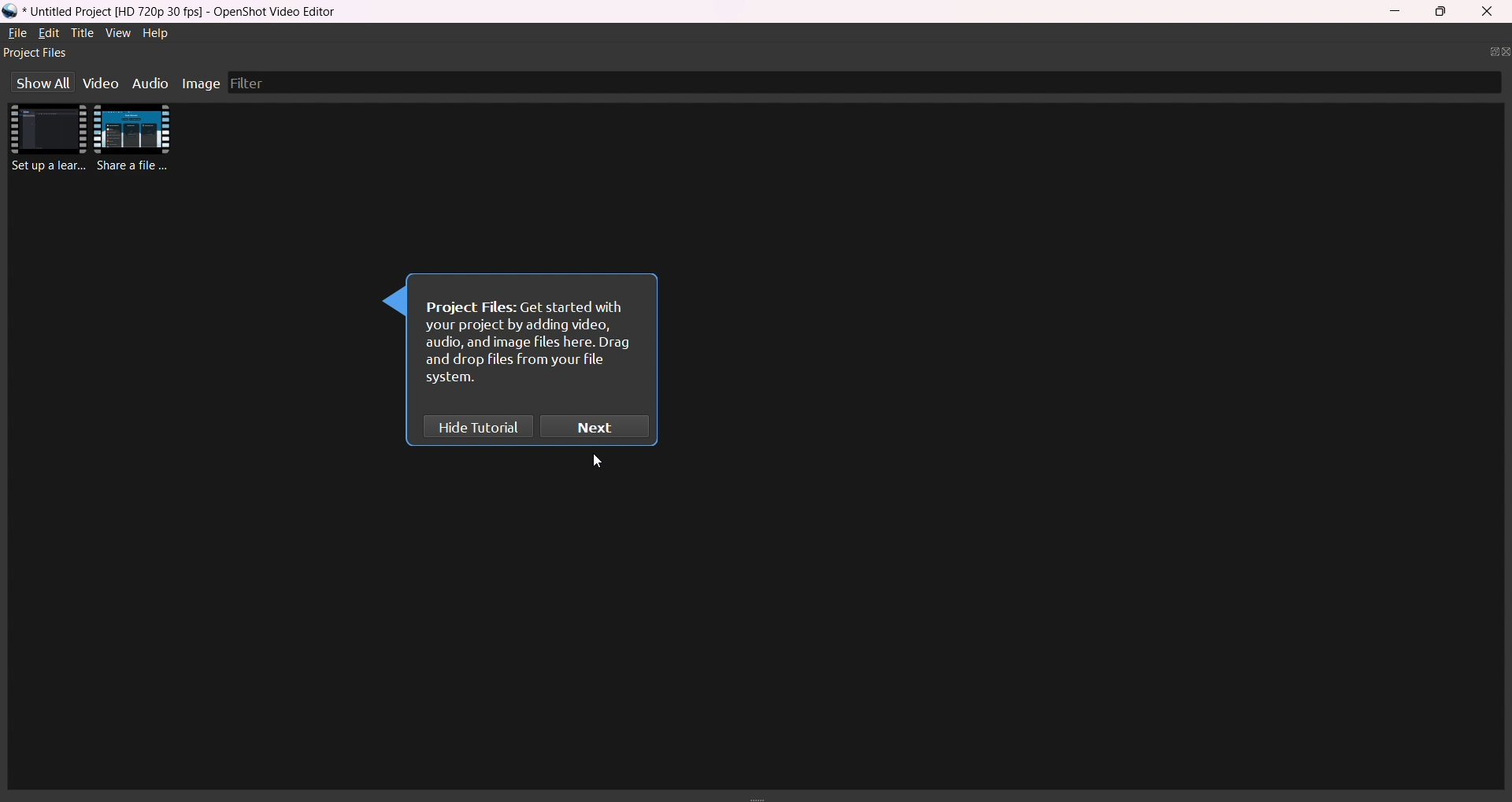 Image resolution: width=1512 pixels, height=802 pixels. What do you see at coordinates (202, 84) in the screenshot?
I see `image` at bounding box center [202, 84].